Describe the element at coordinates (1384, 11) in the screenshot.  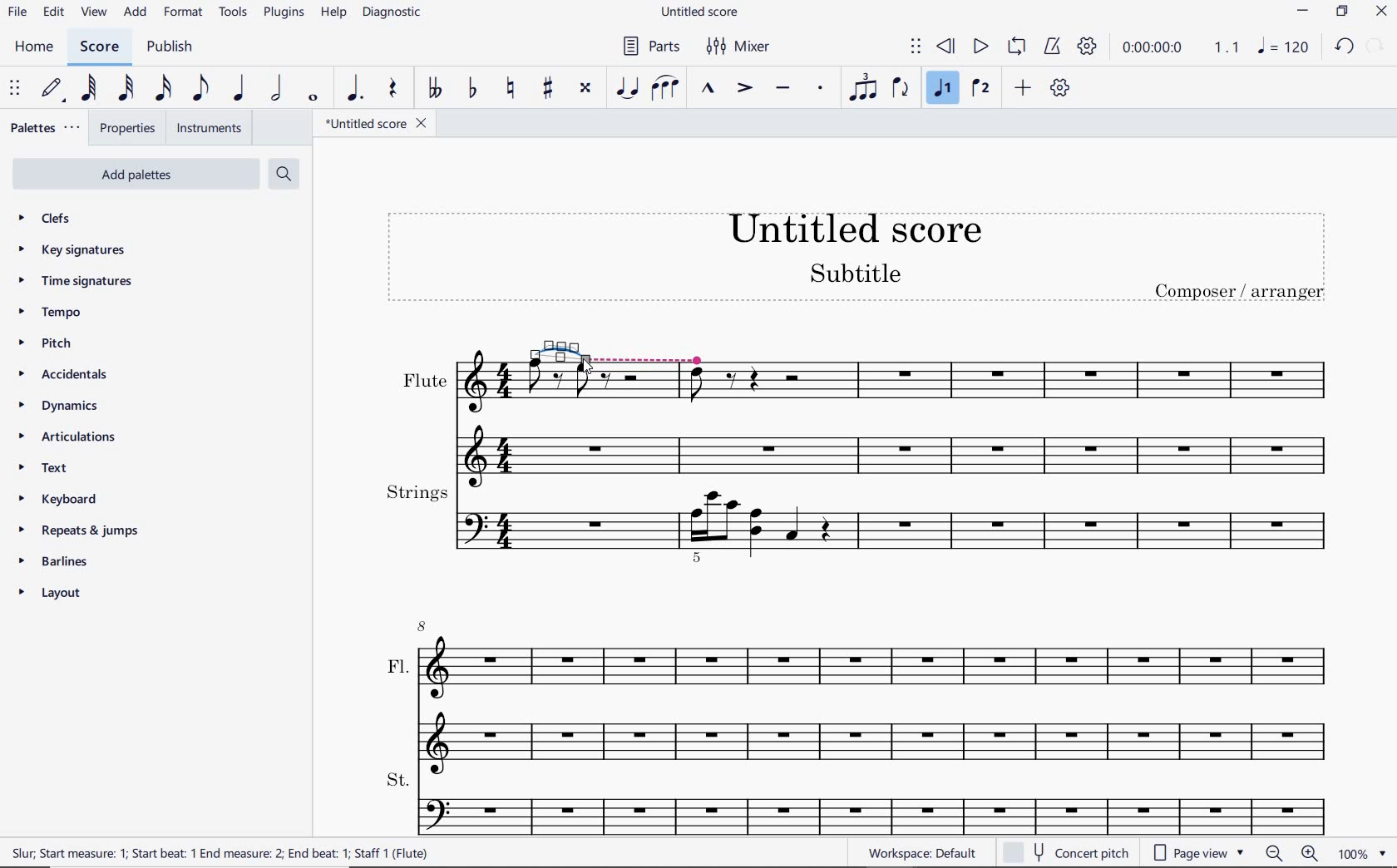
I see `close` at that location.